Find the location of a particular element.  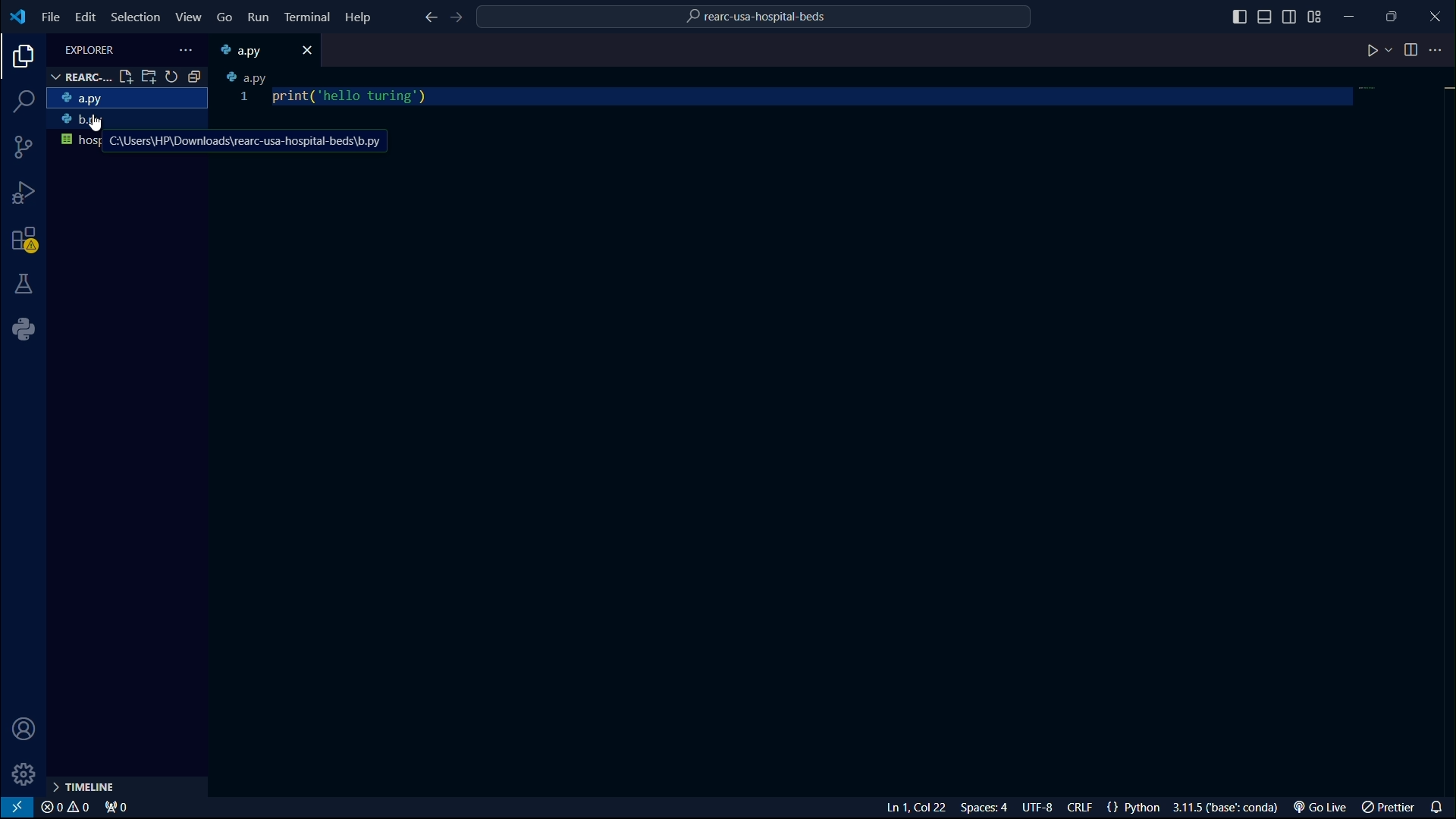

help menu is located at coordinates (359, 17).